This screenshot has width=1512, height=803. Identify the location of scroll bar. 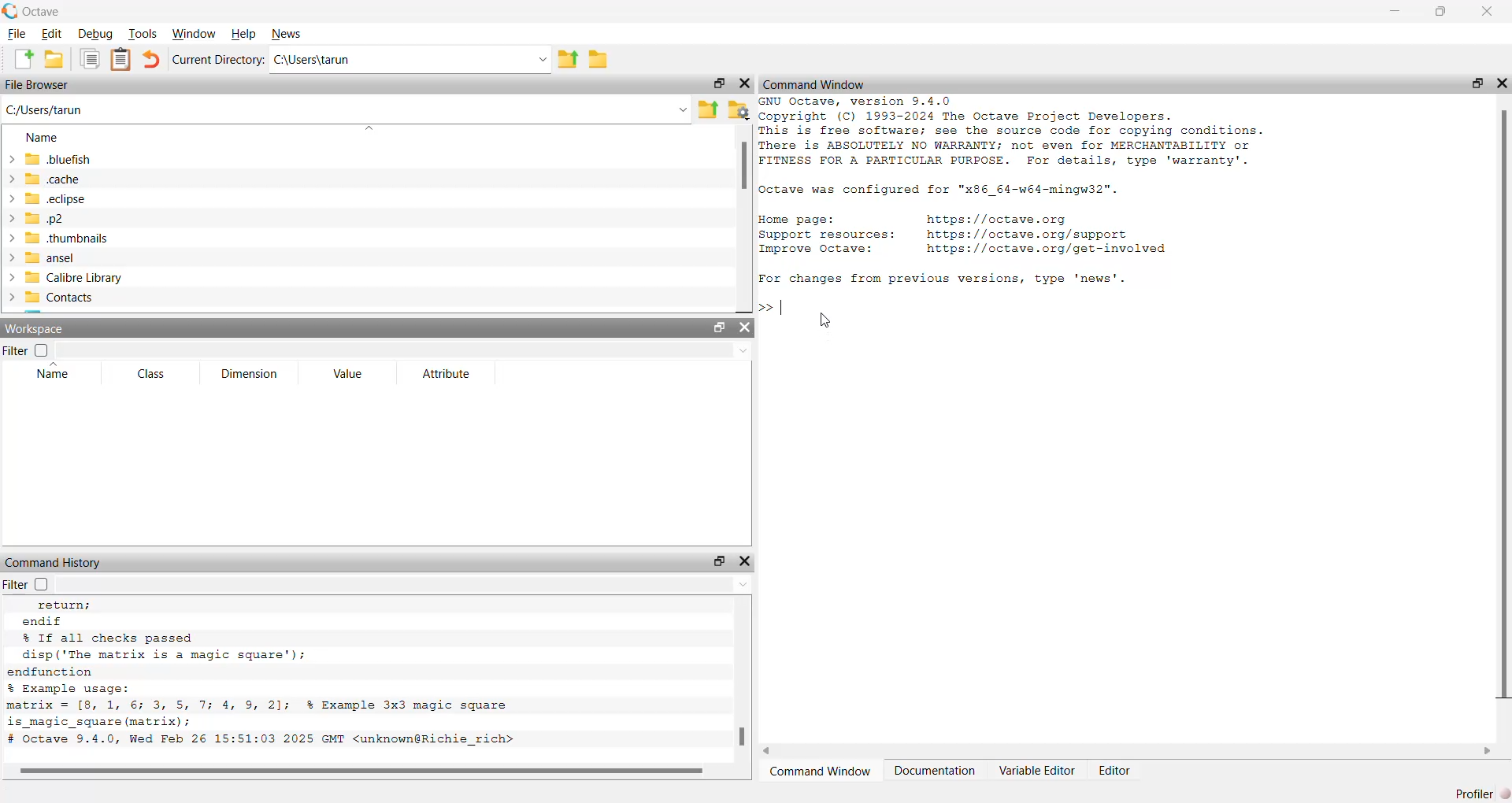
(361, 768).